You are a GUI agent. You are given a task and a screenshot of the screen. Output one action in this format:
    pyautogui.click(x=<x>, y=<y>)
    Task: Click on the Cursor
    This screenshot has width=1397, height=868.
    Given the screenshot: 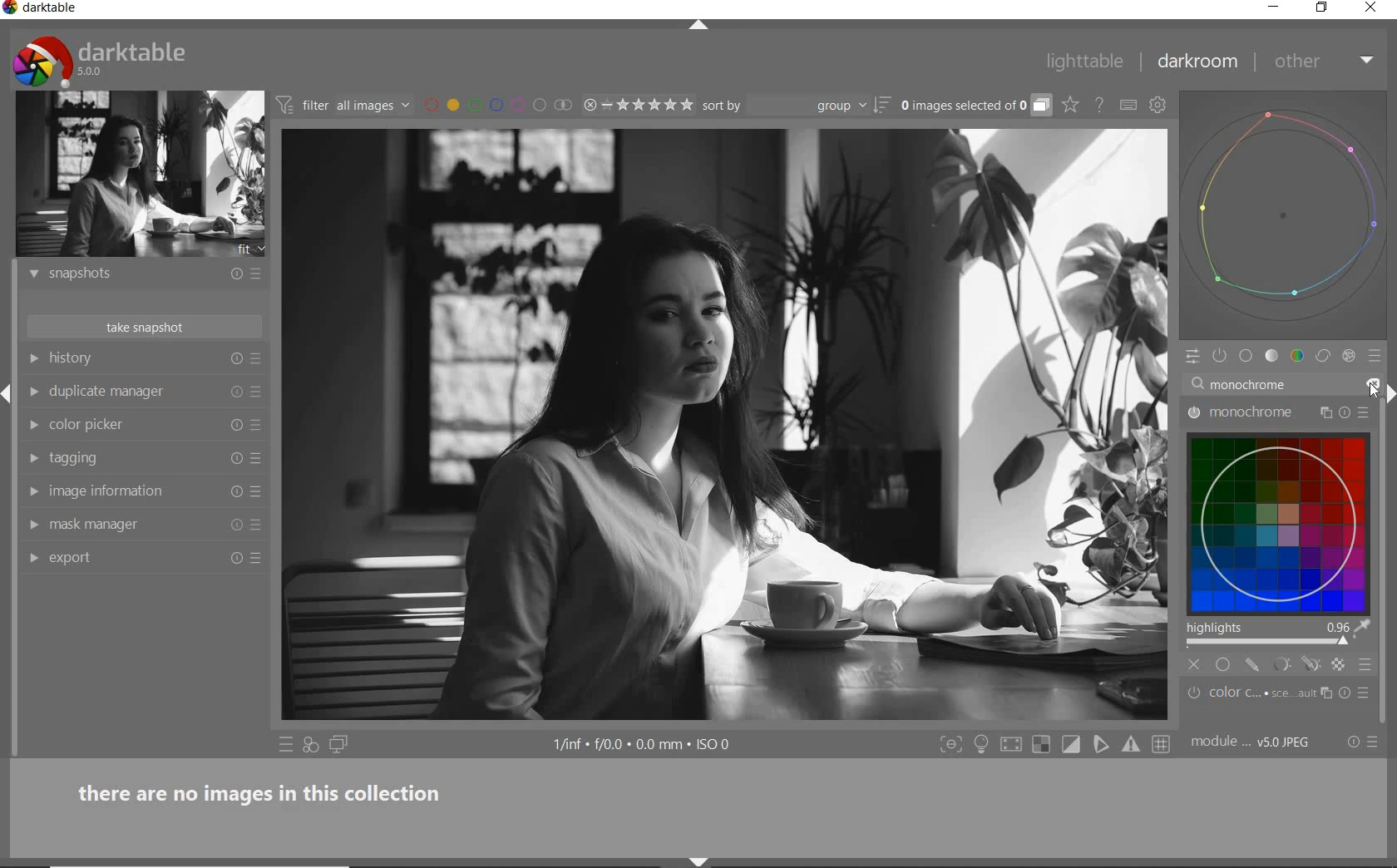 What is the action you would take?
    pyautogui.click(x=1343, y=642)
    